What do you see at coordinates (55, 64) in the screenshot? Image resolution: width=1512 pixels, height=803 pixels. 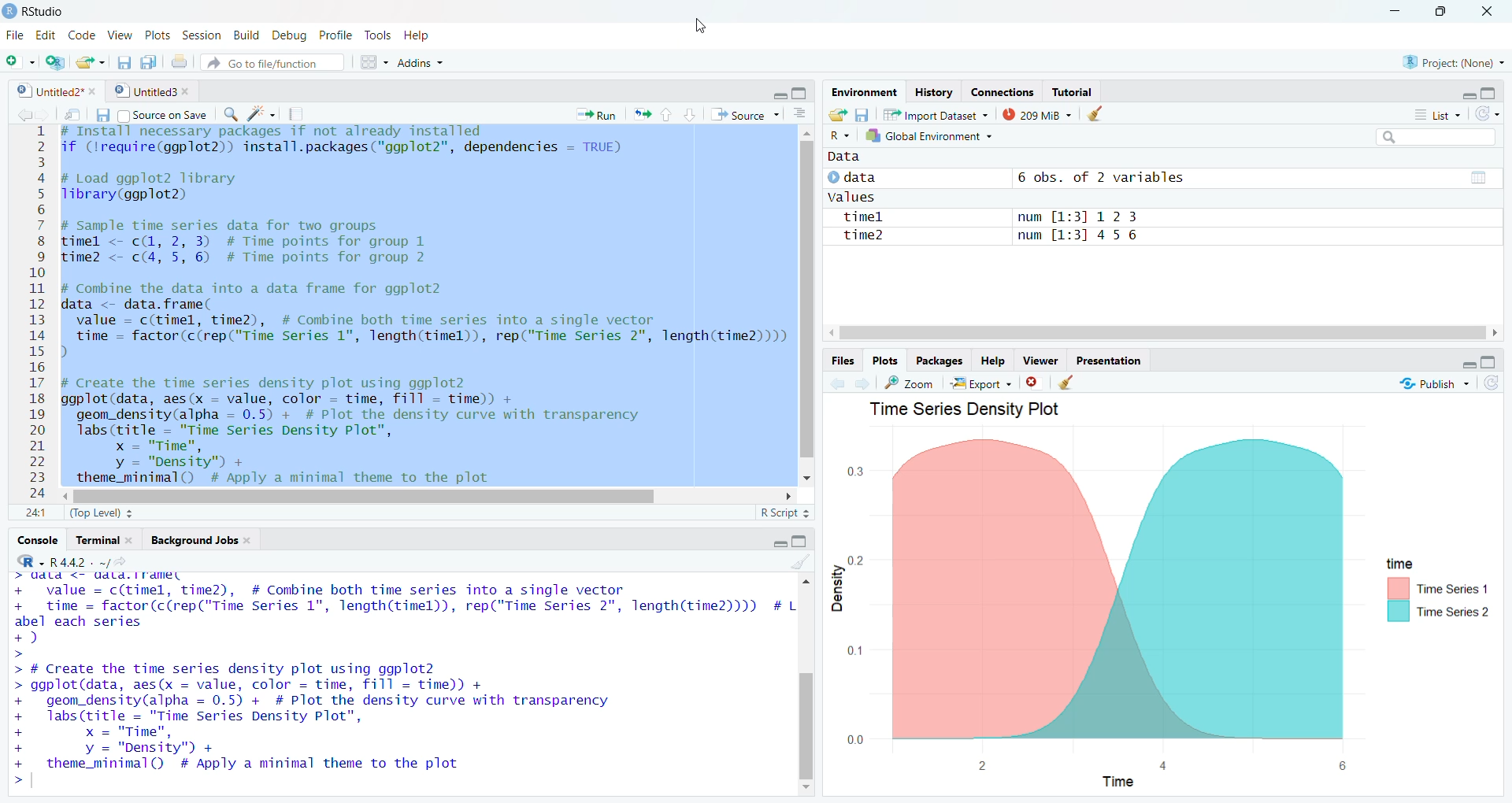 I see `Create a project` at bounding box center [55, 64].